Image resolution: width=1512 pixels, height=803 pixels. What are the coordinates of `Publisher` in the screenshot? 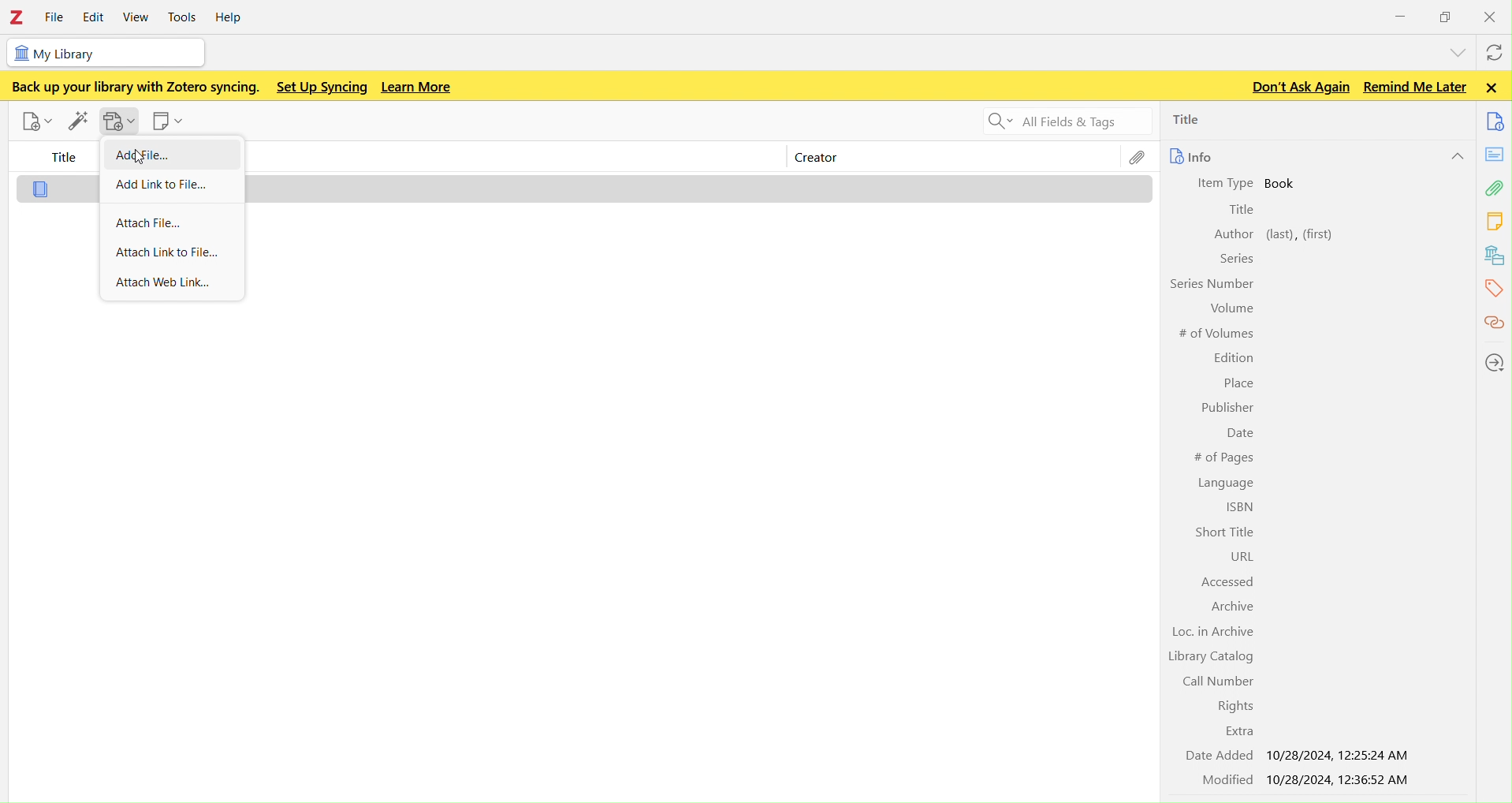 It's located at (1225, 407).